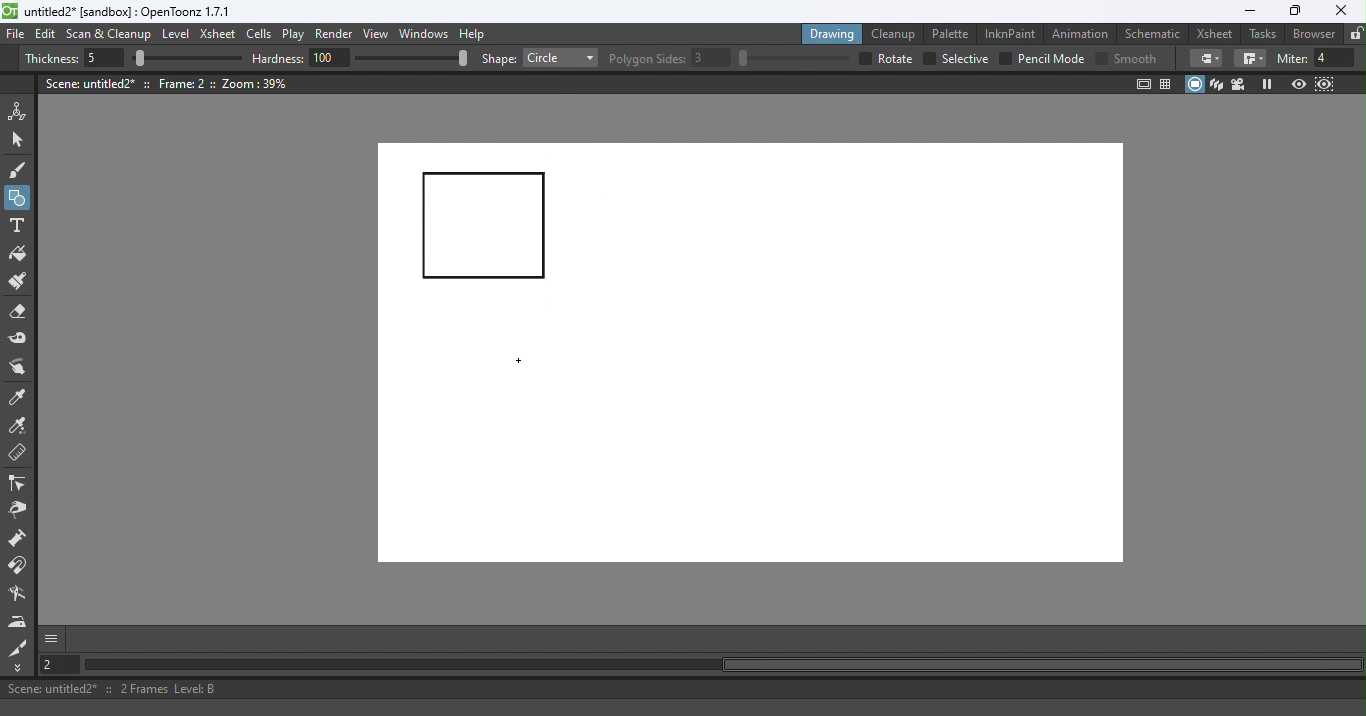 The height and width of the screenshot is (716, 1366). I want to click on Level, so click(176, 35).